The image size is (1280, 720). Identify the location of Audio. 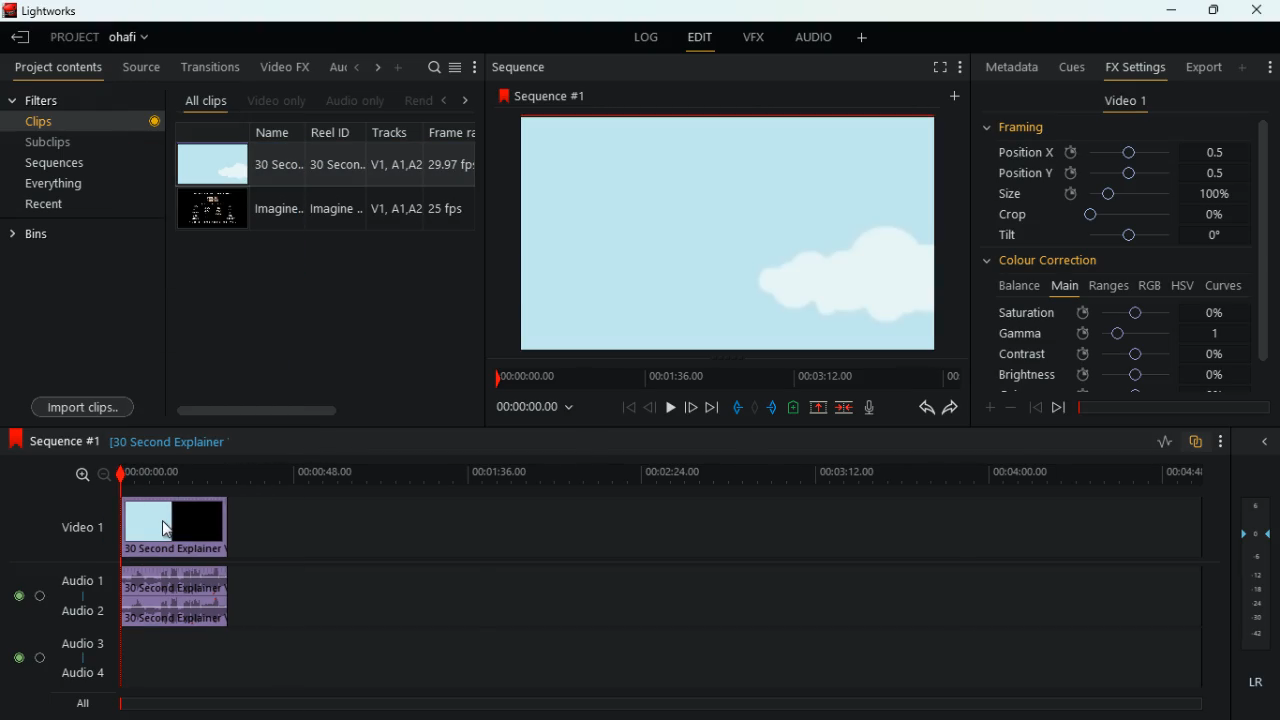
(30, 595).